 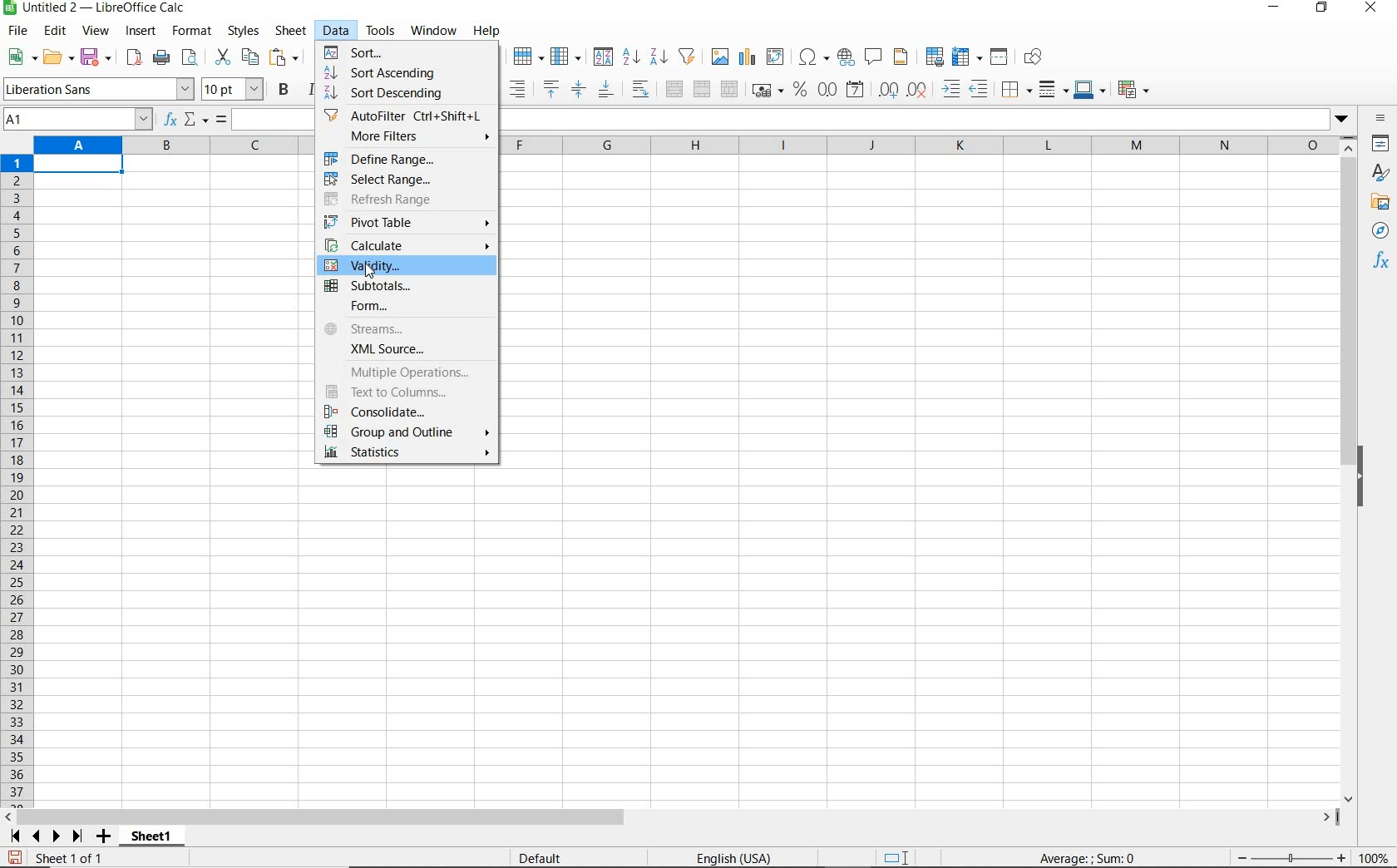 What do you see at coordinates (56, 33) in the screenshot?
I see `edit` at bounding box center [56, 33].